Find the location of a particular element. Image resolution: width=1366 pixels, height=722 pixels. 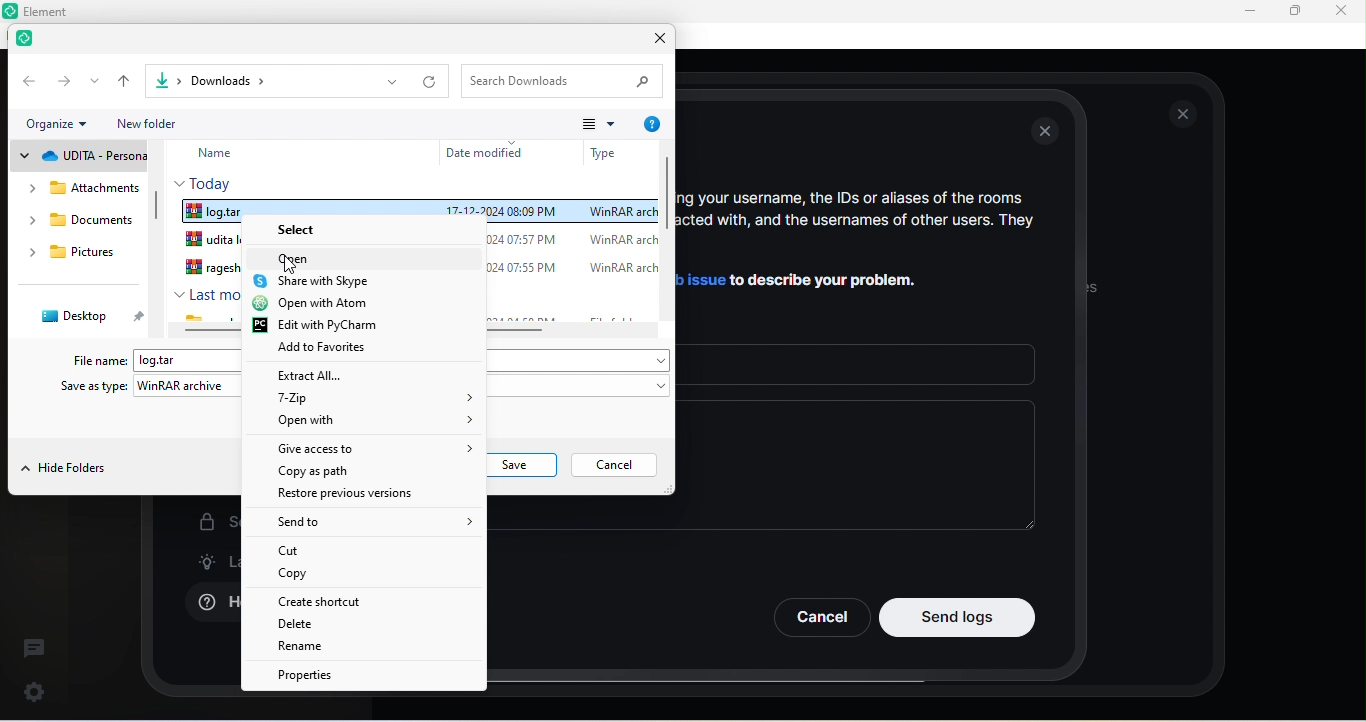

date modified is located at coordinates (490, 152).